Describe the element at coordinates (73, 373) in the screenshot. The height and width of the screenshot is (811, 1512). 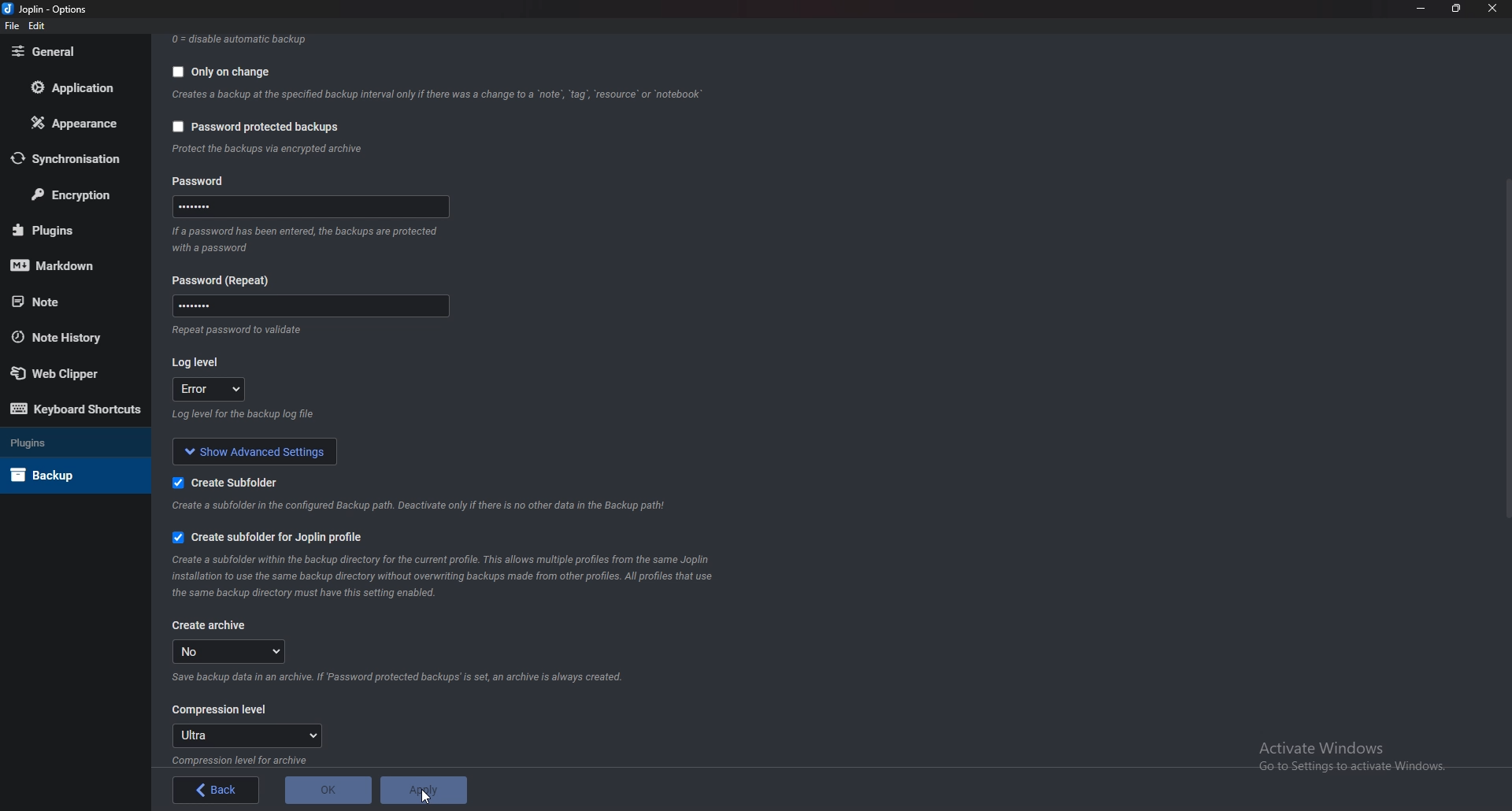
I see `Web Clipper` at that location.